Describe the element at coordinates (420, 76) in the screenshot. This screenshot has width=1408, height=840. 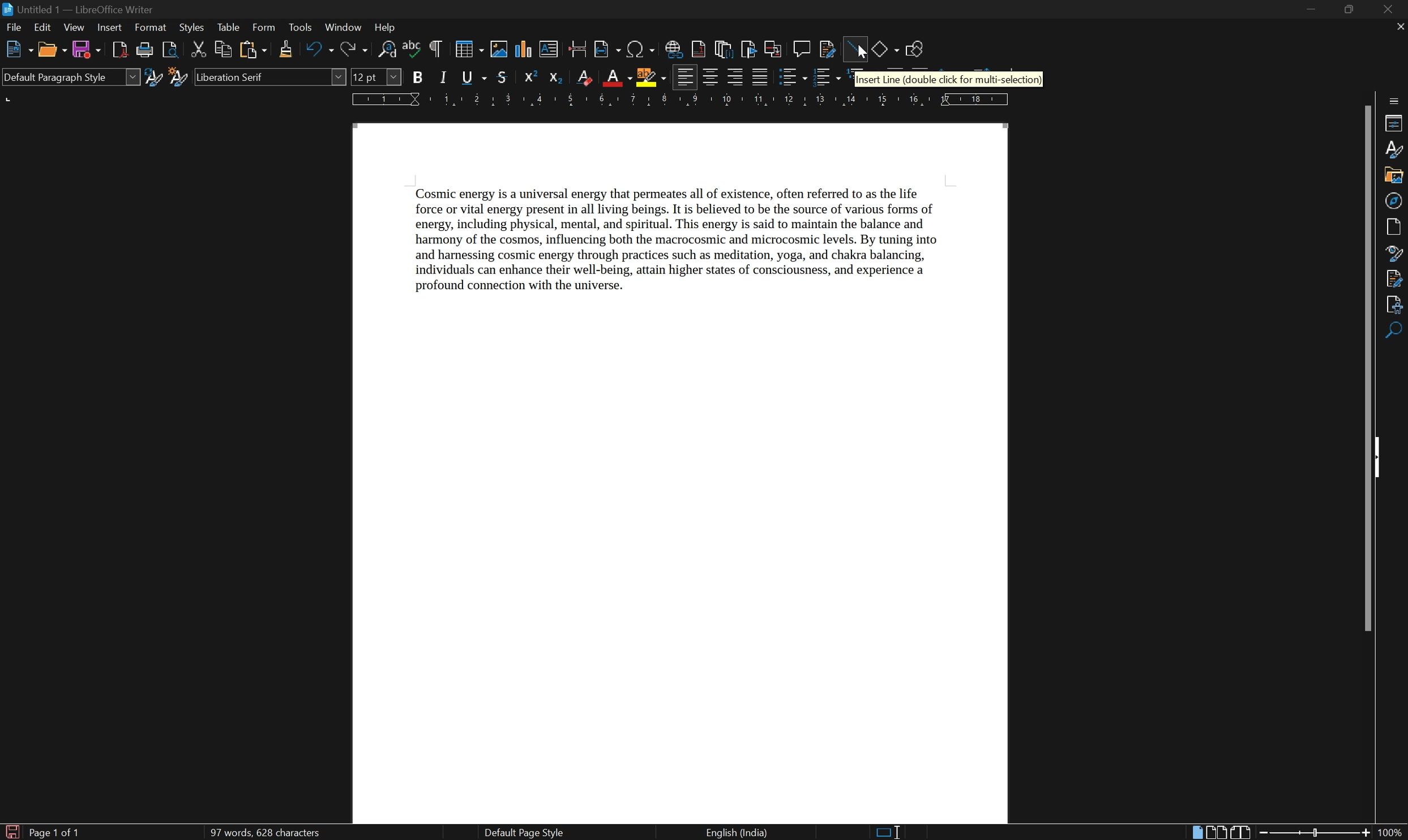
I see `bold` at that location.